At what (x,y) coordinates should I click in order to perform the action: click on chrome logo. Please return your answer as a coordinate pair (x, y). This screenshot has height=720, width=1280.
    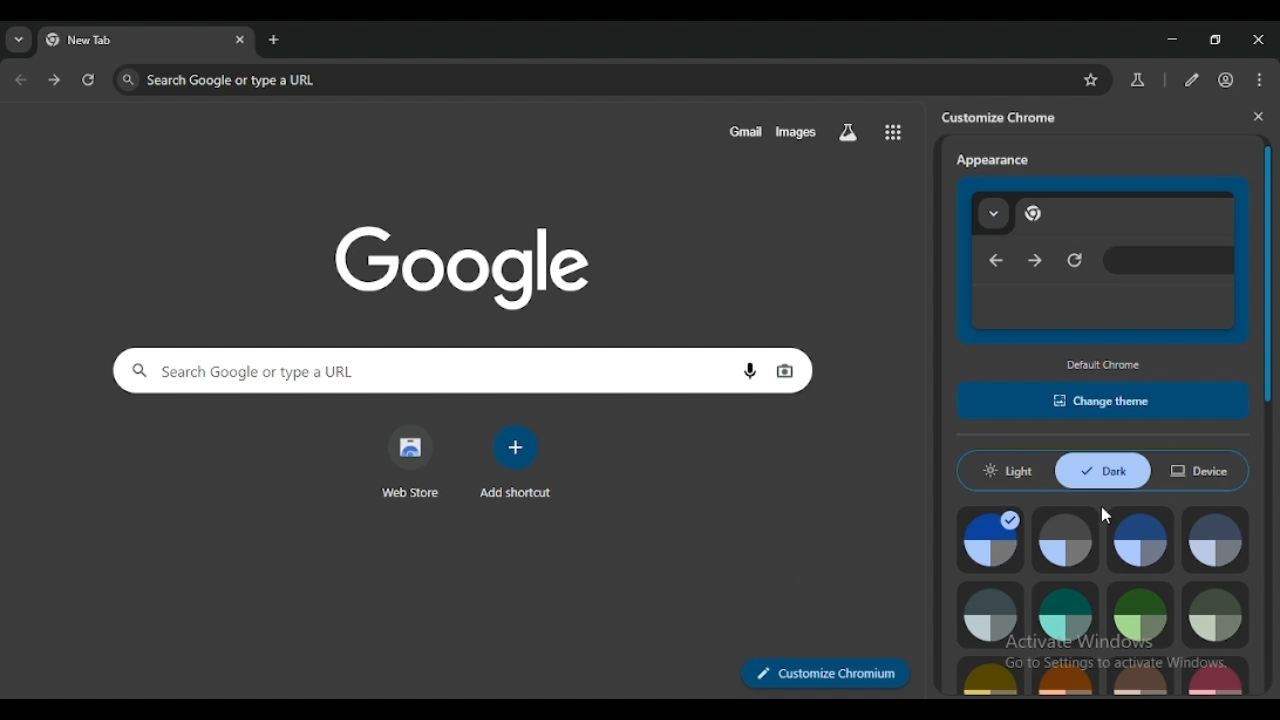
    Looking at the image, I should click on (1040, 214).